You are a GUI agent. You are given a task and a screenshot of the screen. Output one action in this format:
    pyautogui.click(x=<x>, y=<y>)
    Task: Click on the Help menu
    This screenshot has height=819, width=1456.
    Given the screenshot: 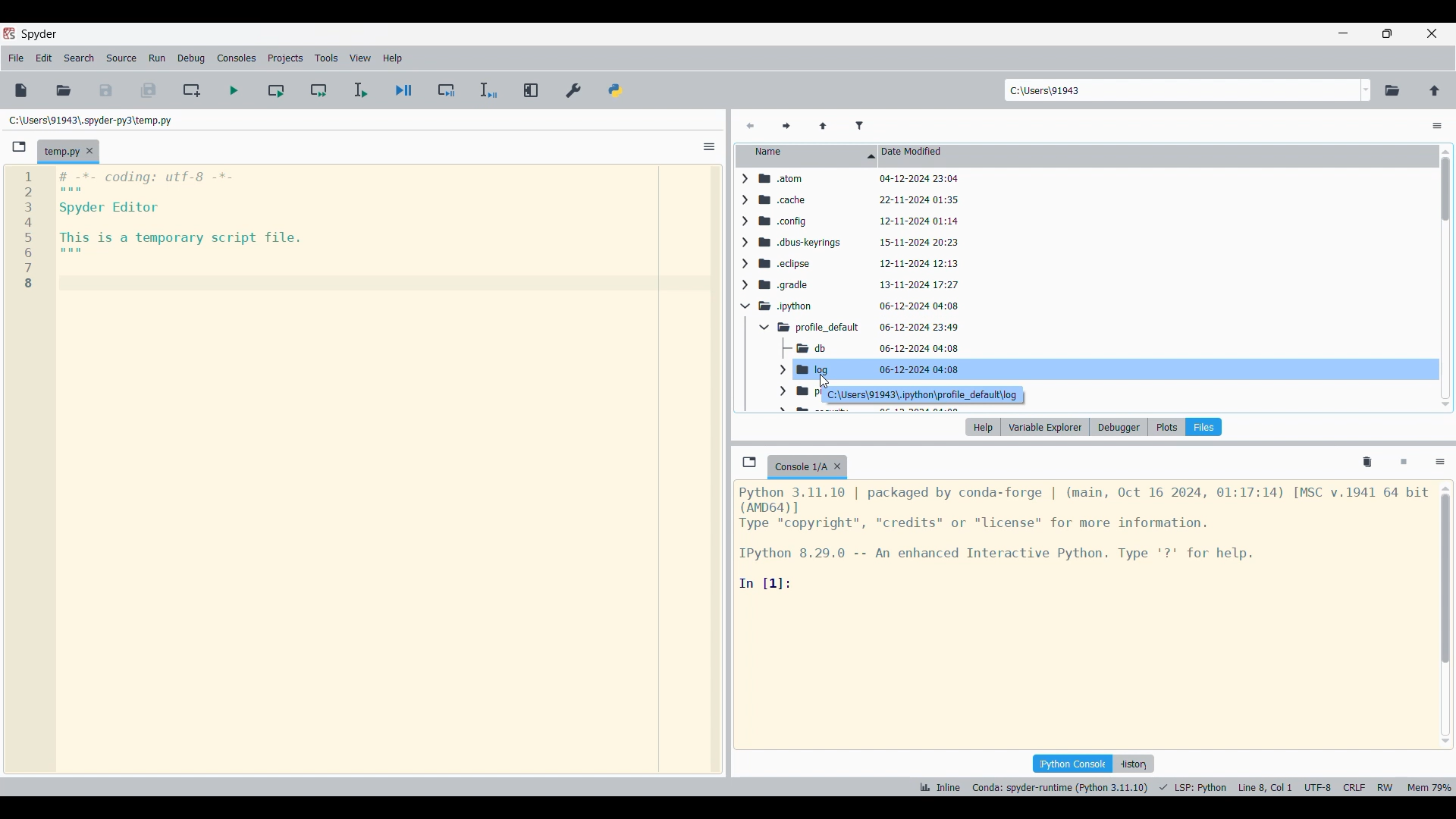 What is the action you would take?
    pyautogui.click(x=392, y=58)
    